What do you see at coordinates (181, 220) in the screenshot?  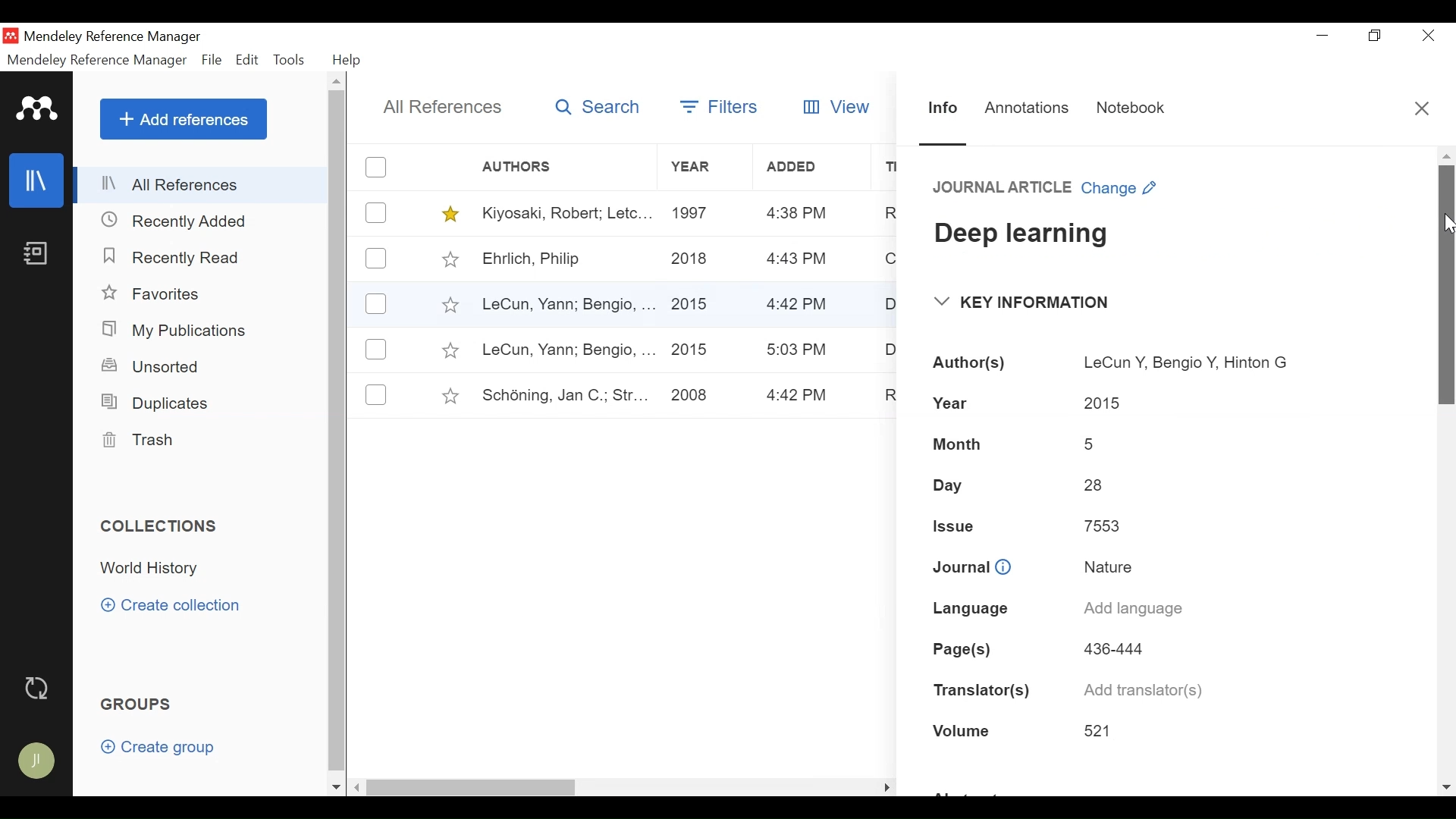 I see `Recently Added` at bounding box center [181, 220].